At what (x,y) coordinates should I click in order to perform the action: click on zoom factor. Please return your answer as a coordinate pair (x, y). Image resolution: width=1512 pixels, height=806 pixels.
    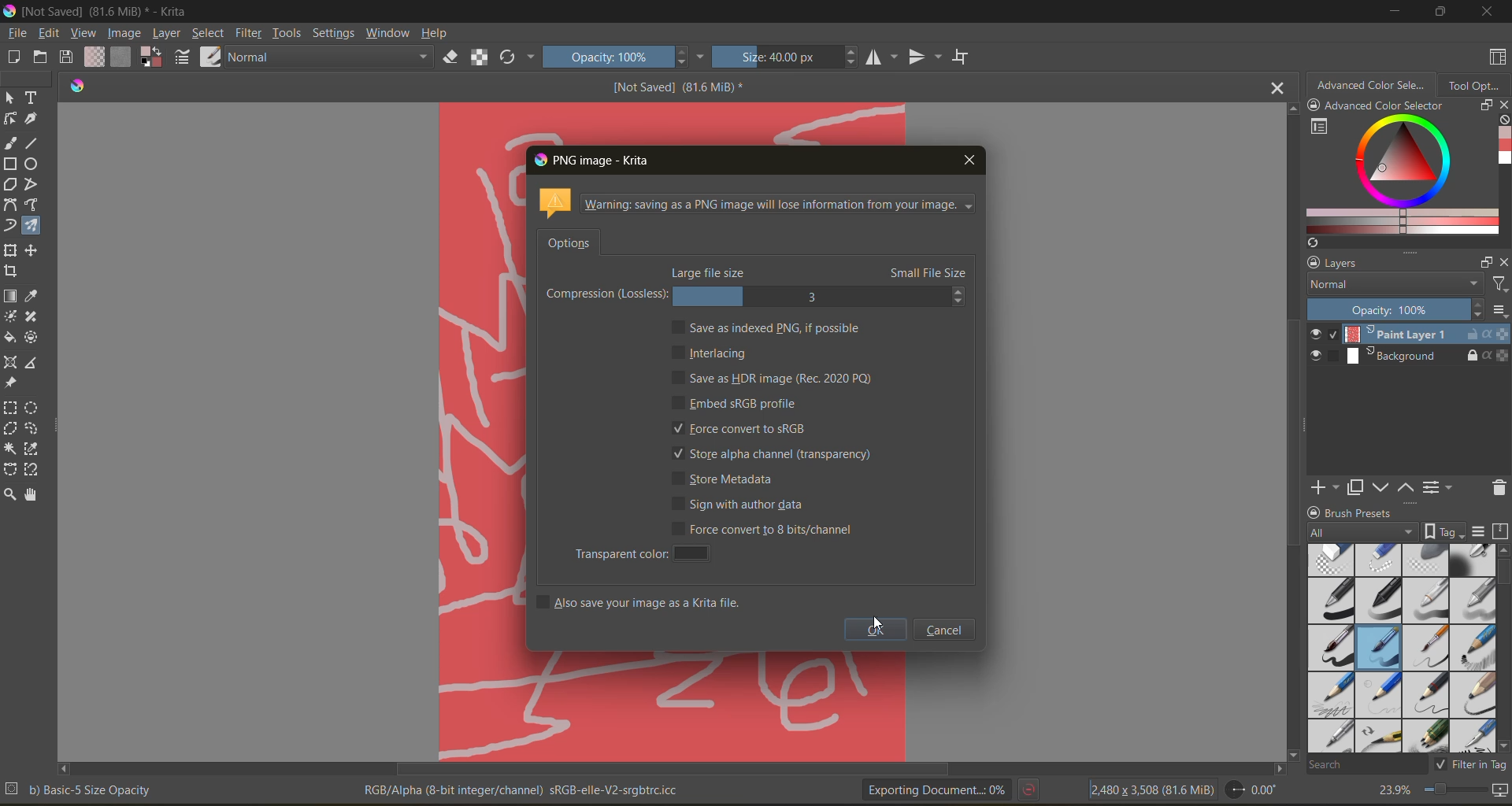
    Looking at the image, I should click on (1392, 791).